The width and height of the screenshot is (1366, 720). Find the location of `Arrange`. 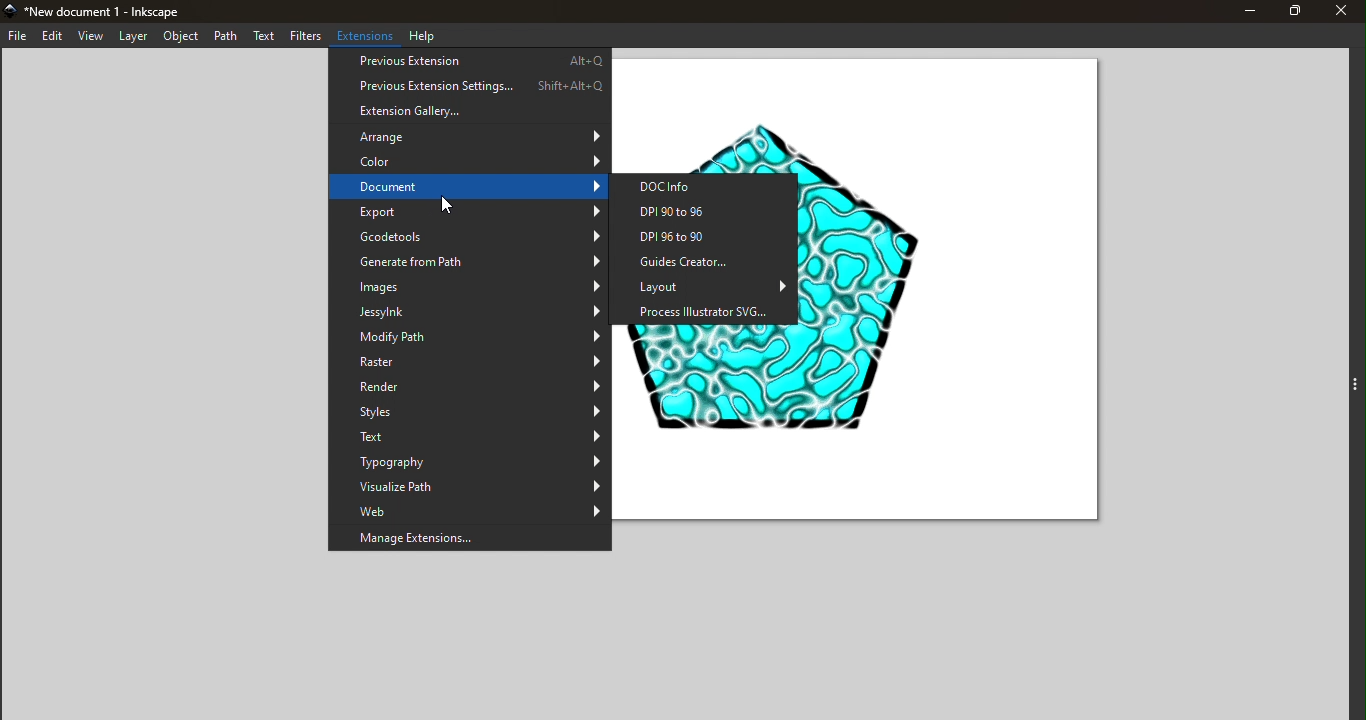

Arrange is located at coordinates (468, 137).